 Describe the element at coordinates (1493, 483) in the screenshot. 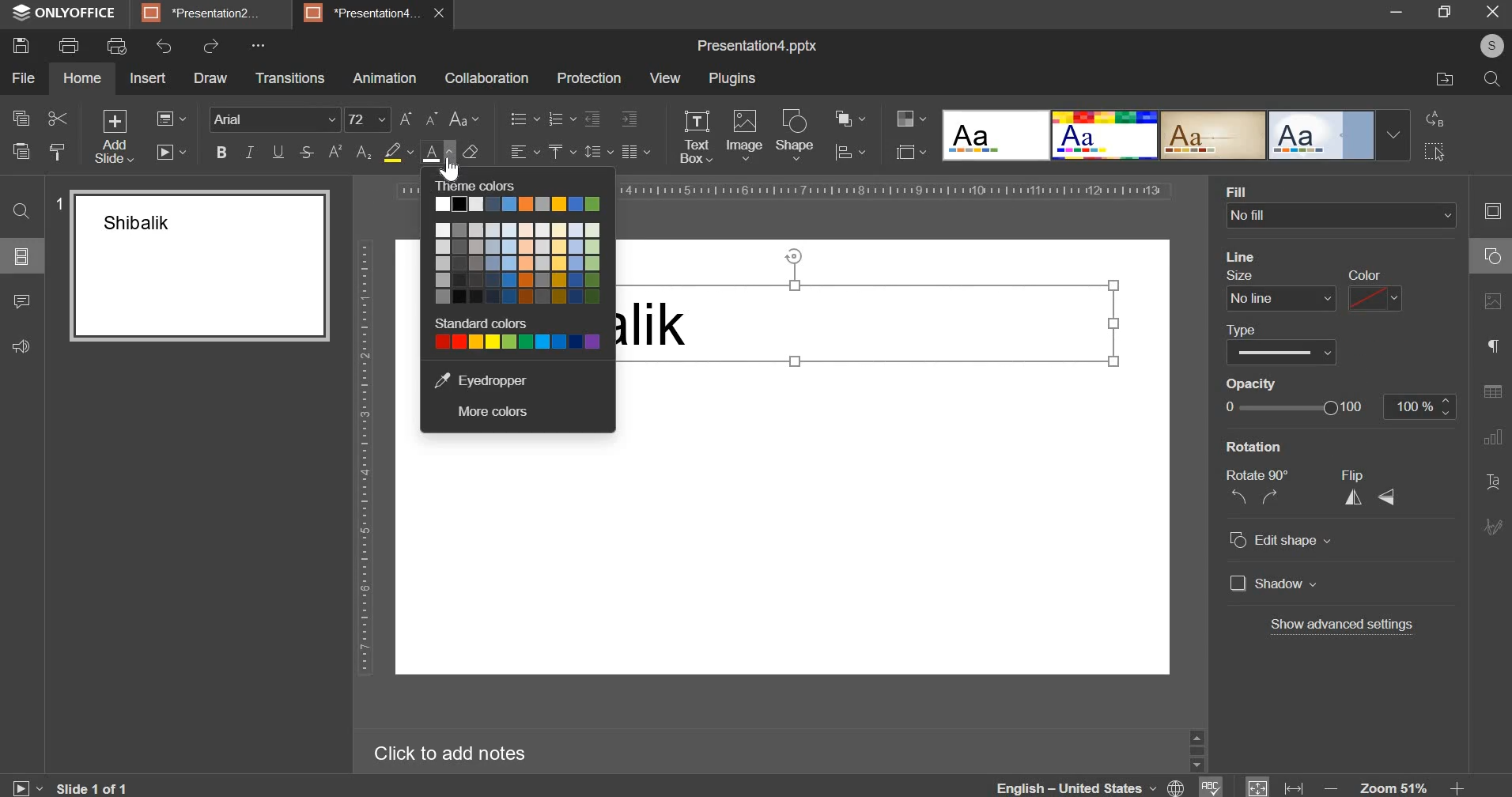

I see `text` at that location.